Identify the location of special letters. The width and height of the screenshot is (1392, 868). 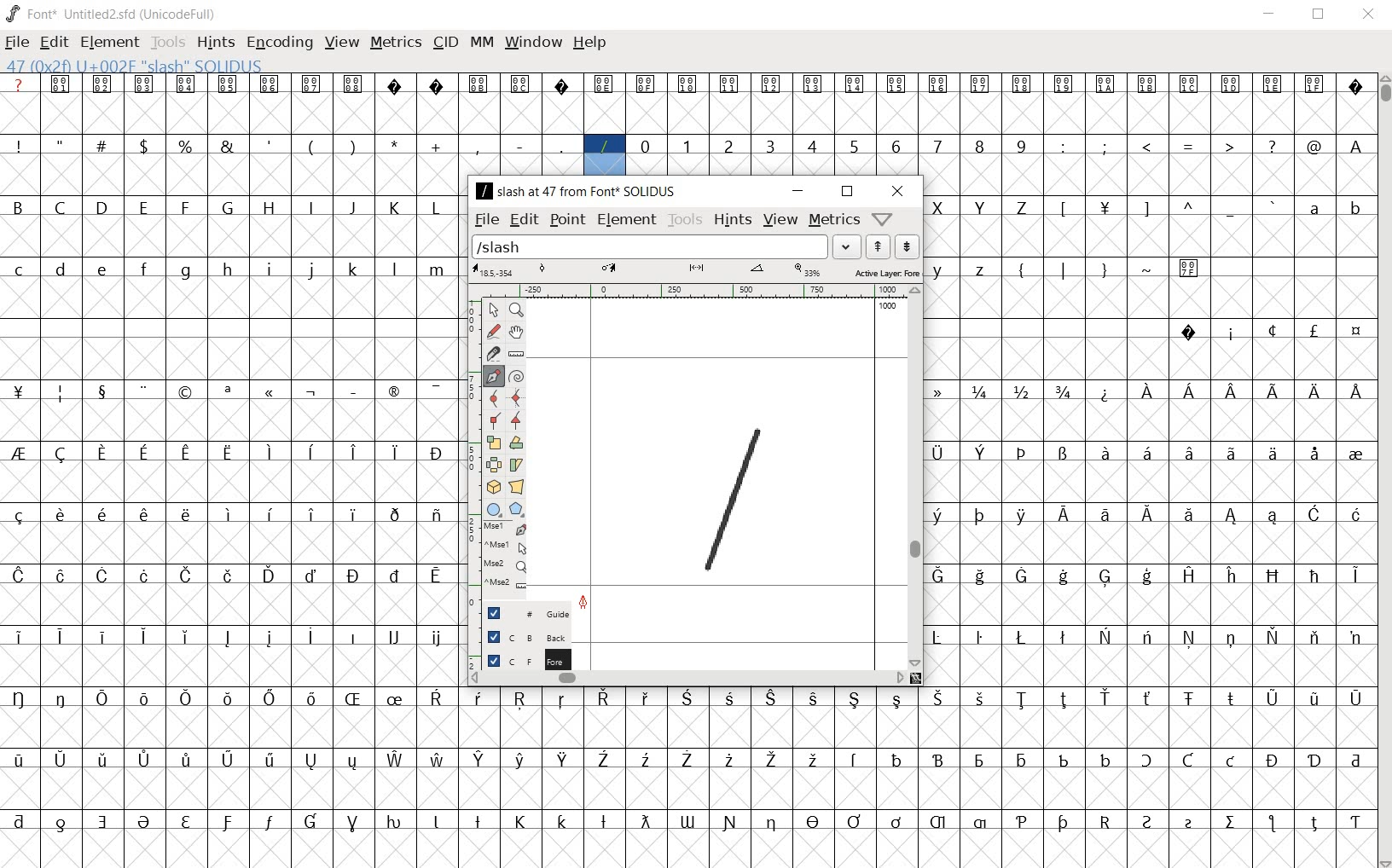
(1149, 512).